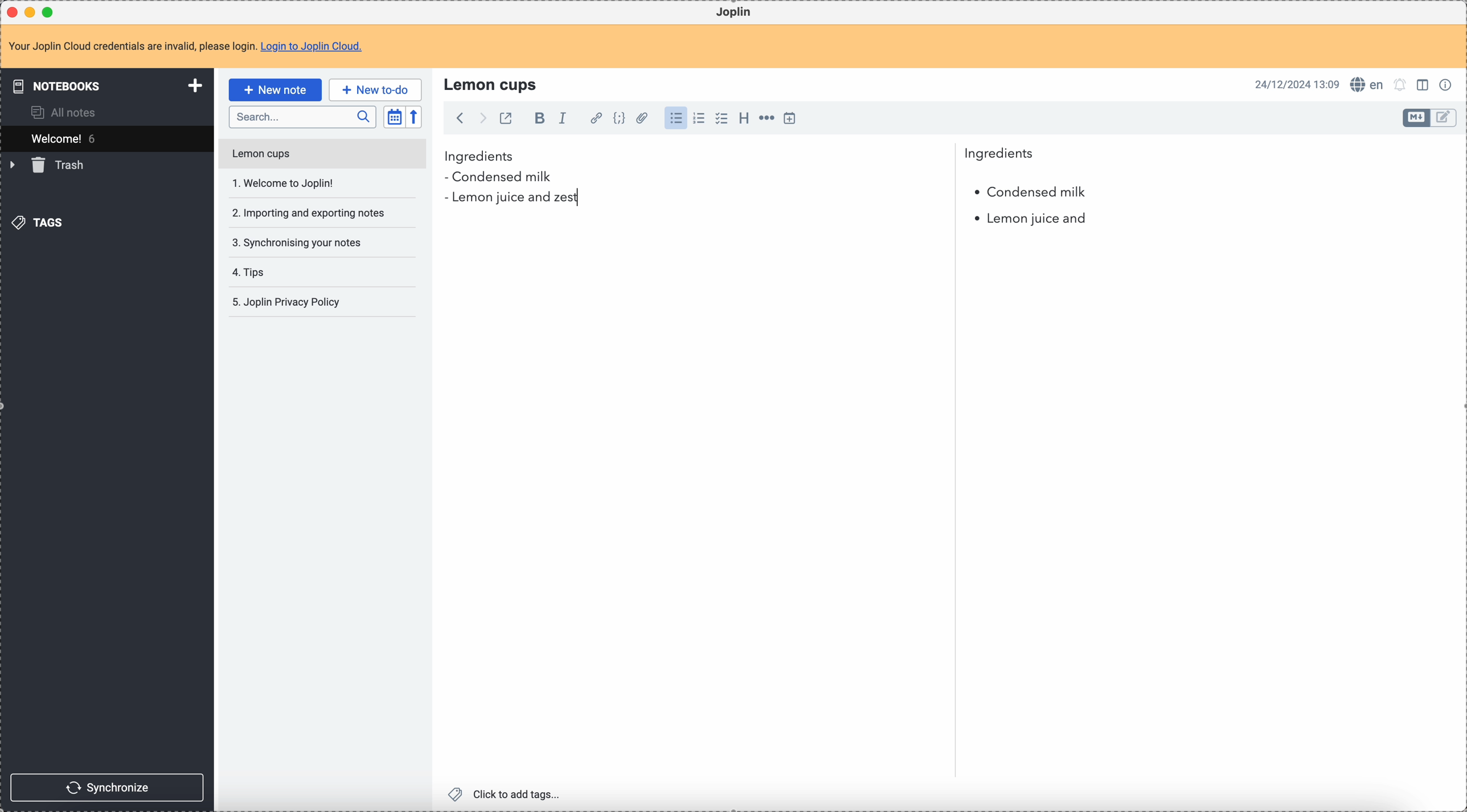  What do you see at coordinates (274, 89) in the screenshot?
I see `click on new note` at bounding box center [274, 89].